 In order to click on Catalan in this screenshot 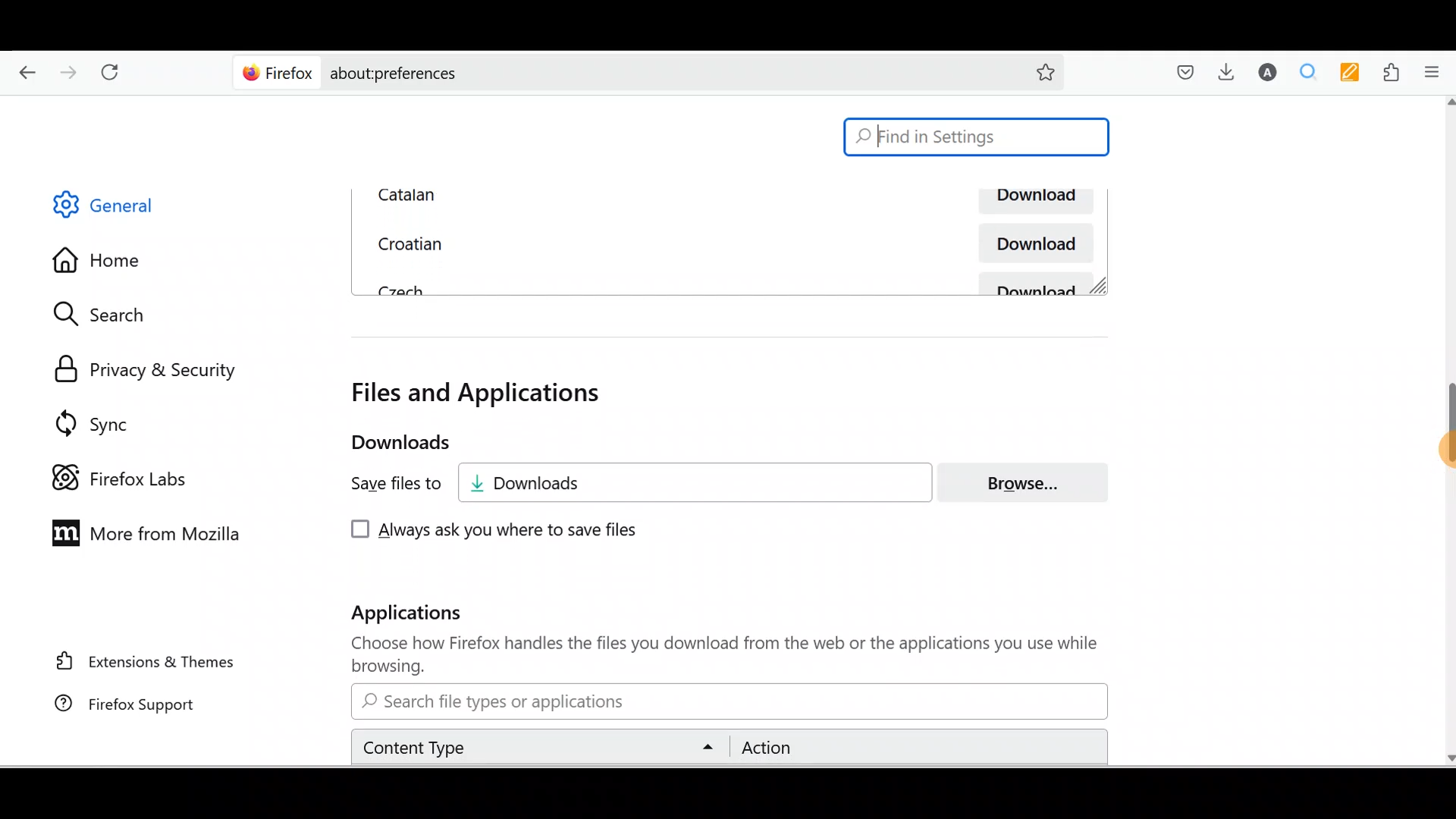, I will do `click(535, 195)`.